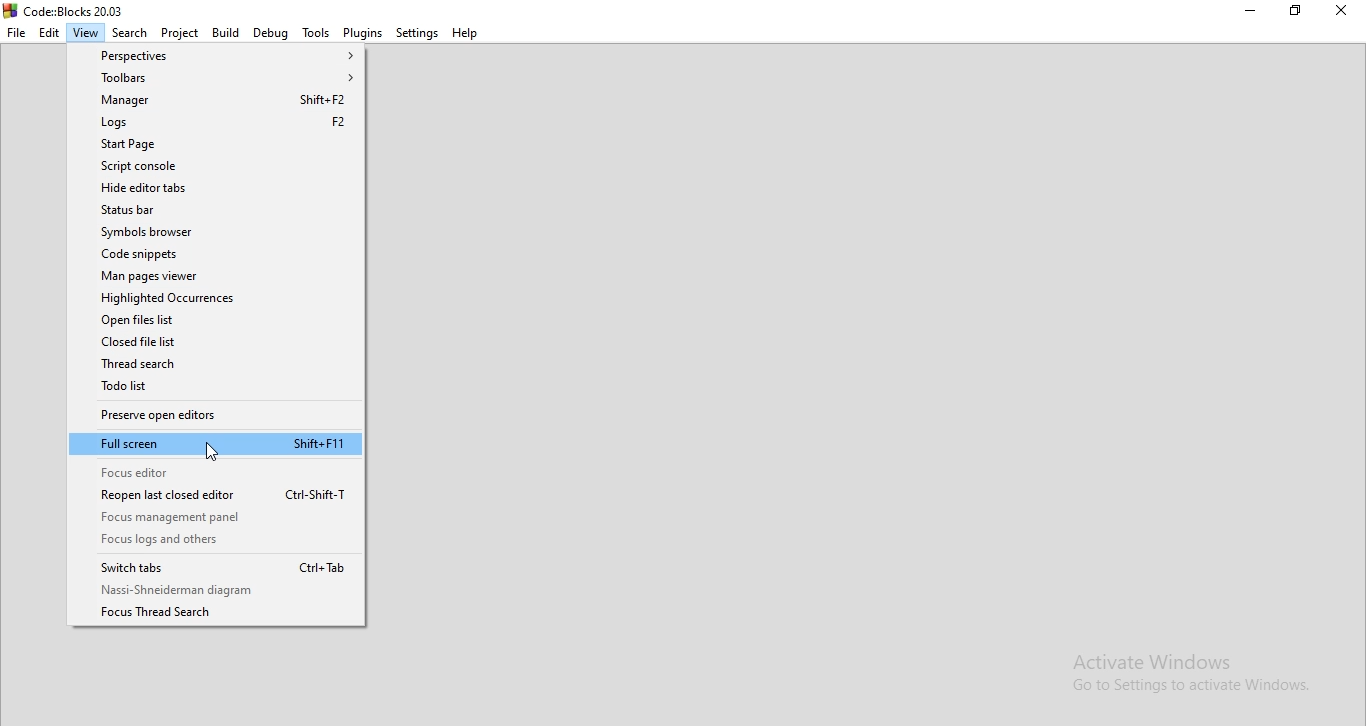 This screenshot has width=1366, height=726. I want to click on Logs , so click(211, 122).